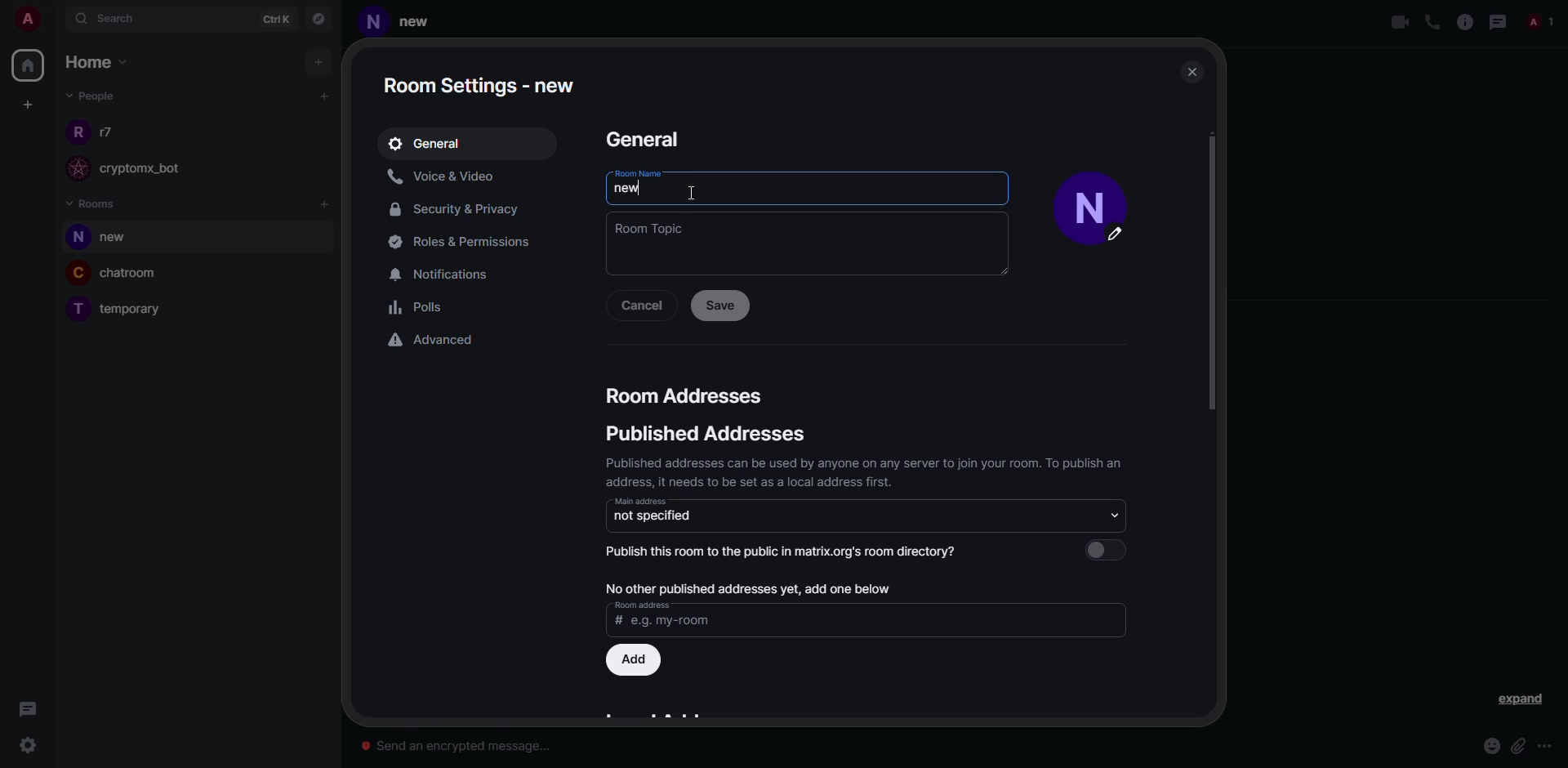 The image size is (1568, 768). What do you see at coordinates (746, 586) in the screenshot?
I see `add` at bounding box center [746, 586].